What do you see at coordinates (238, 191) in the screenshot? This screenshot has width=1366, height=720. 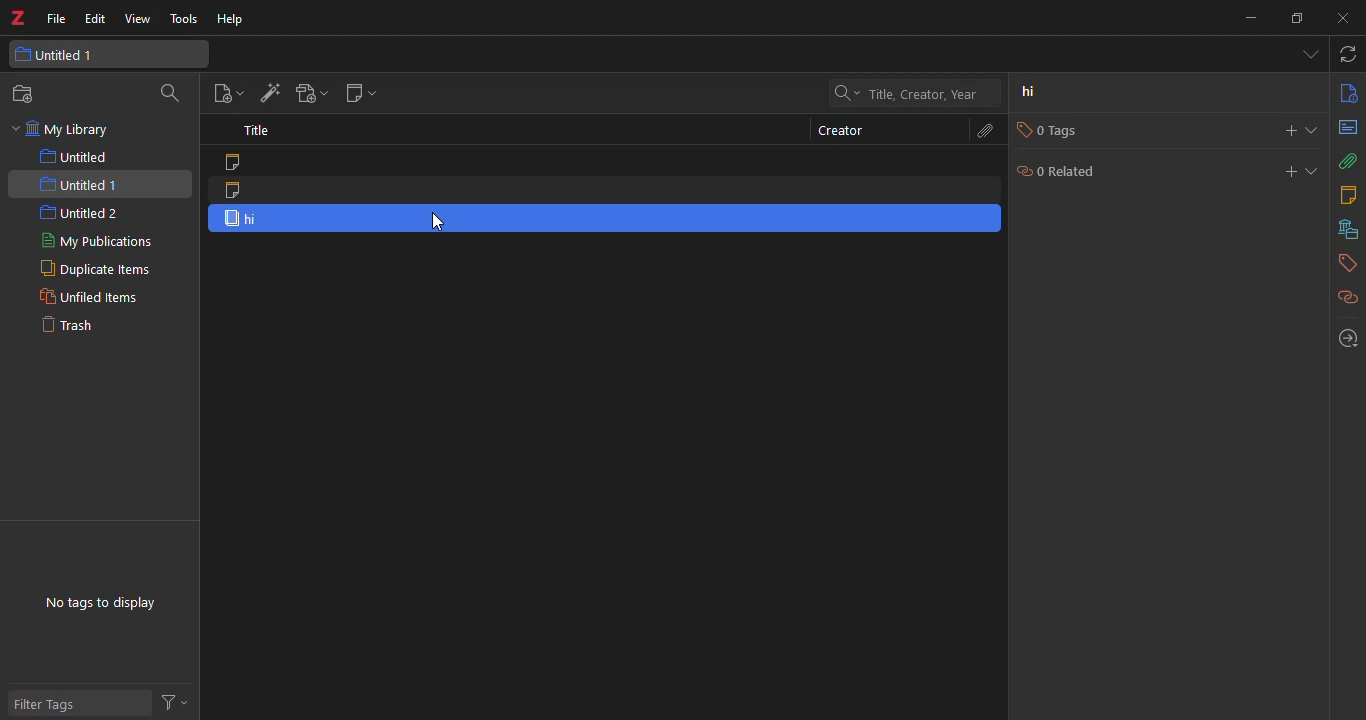 I see `note` at bounding box center [238, 191].